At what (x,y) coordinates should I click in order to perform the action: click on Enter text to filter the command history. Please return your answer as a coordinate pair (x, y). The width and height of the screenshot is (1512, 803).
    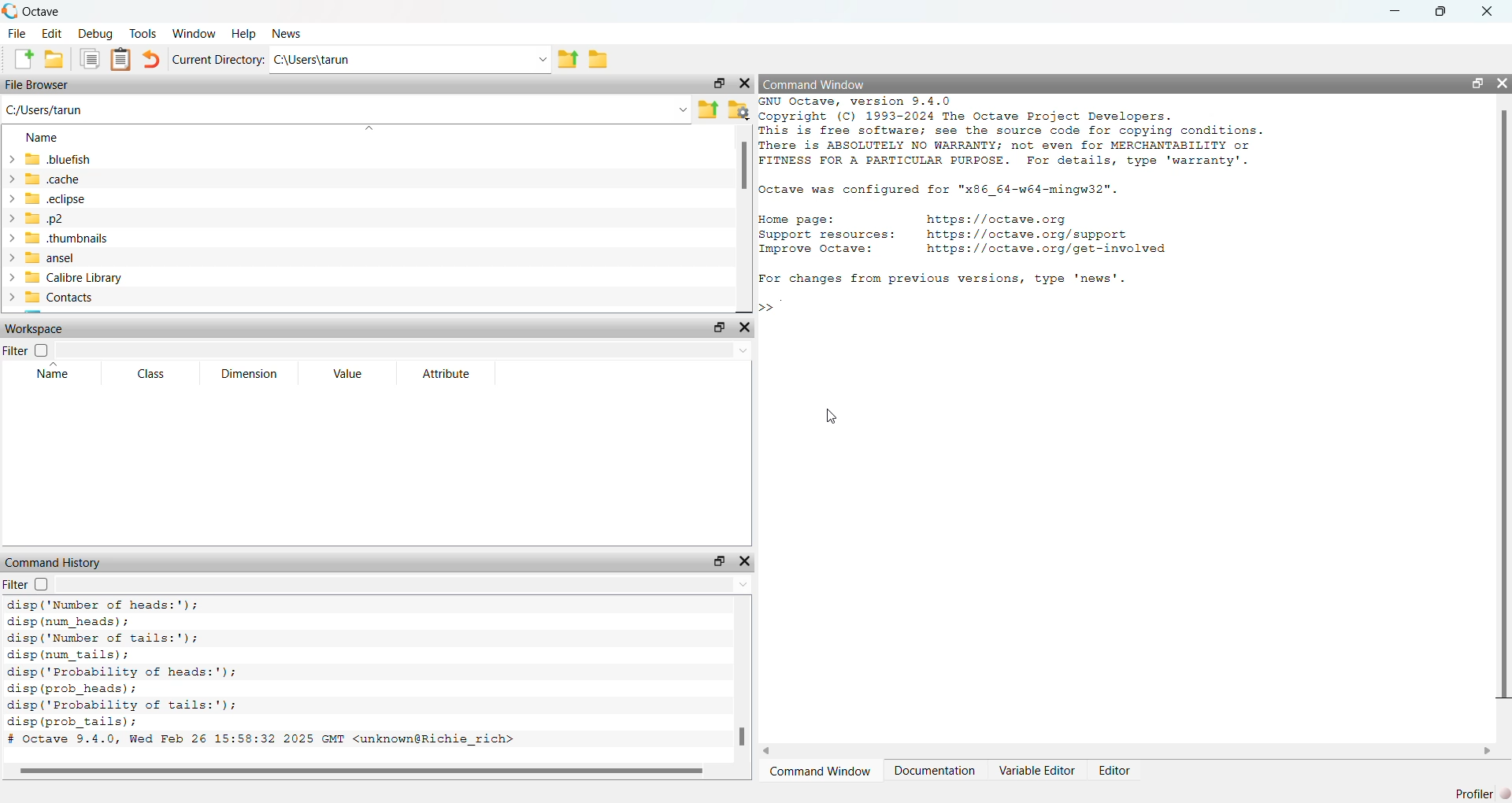
    Looking at the image, I should click on (405, 583).